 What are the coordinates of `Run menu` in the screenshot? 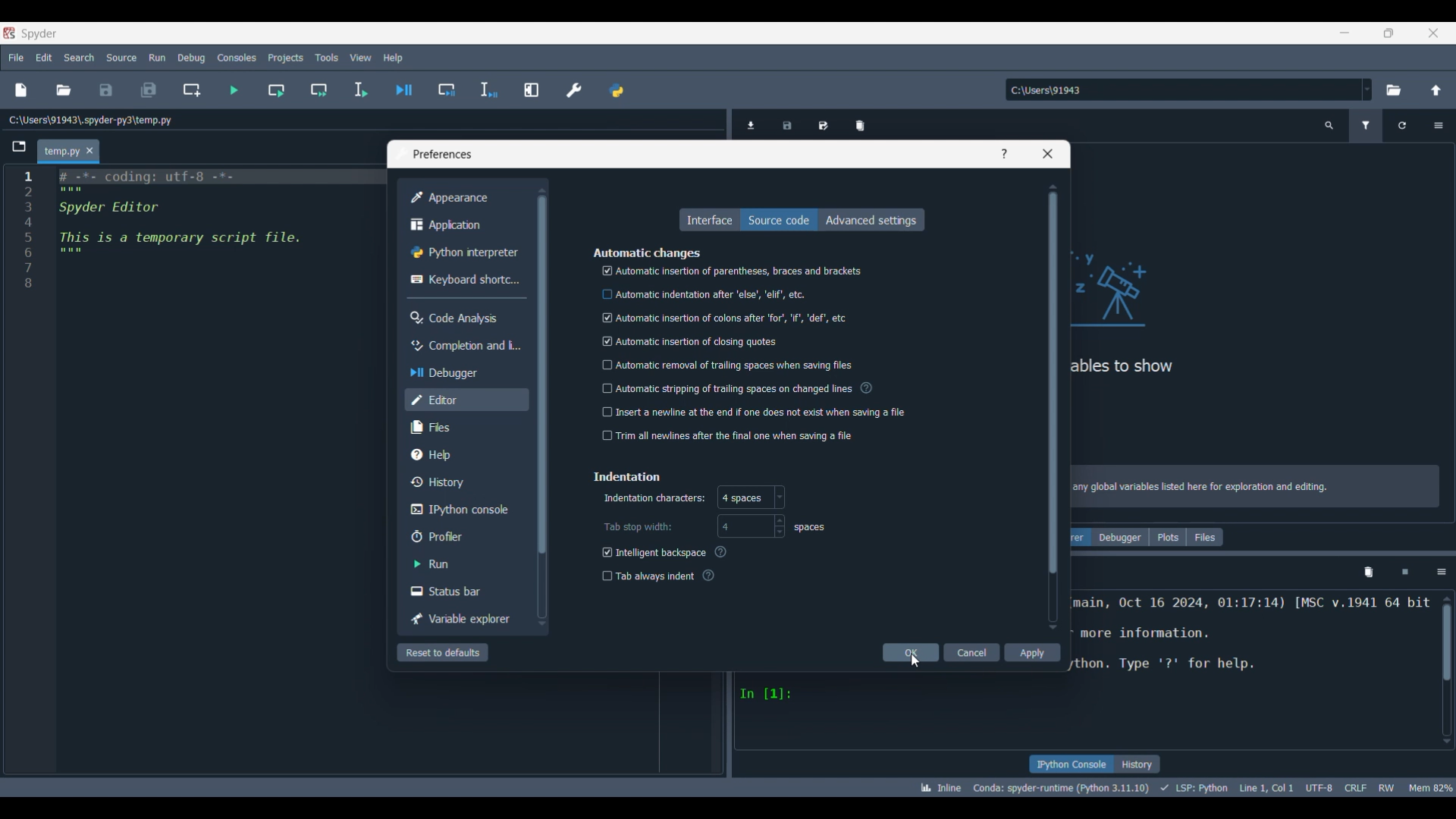 It's located at (158, 58).